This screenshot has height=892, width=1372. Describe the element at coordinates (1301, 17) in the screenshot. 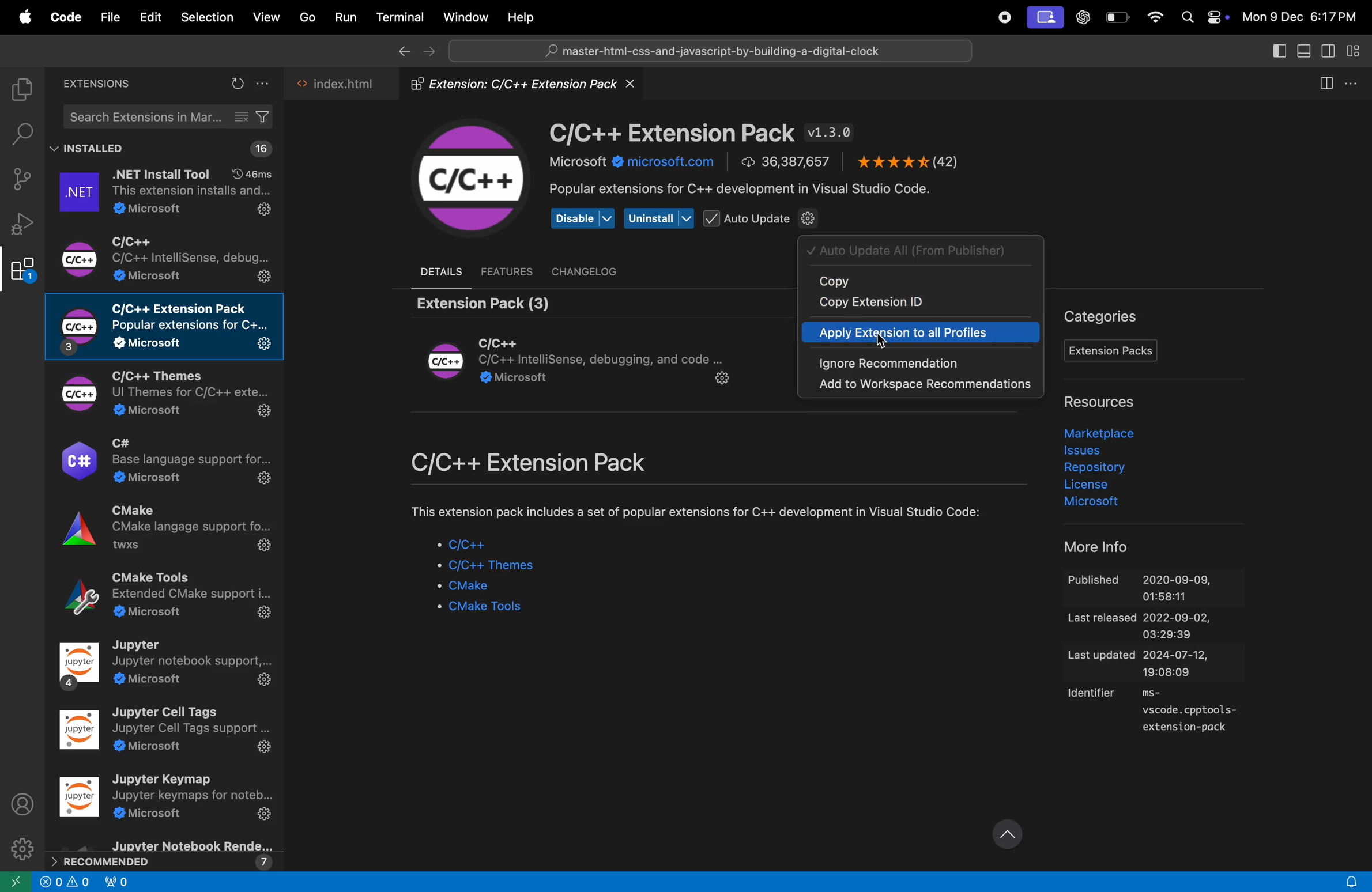

I see `date and time` at that location.